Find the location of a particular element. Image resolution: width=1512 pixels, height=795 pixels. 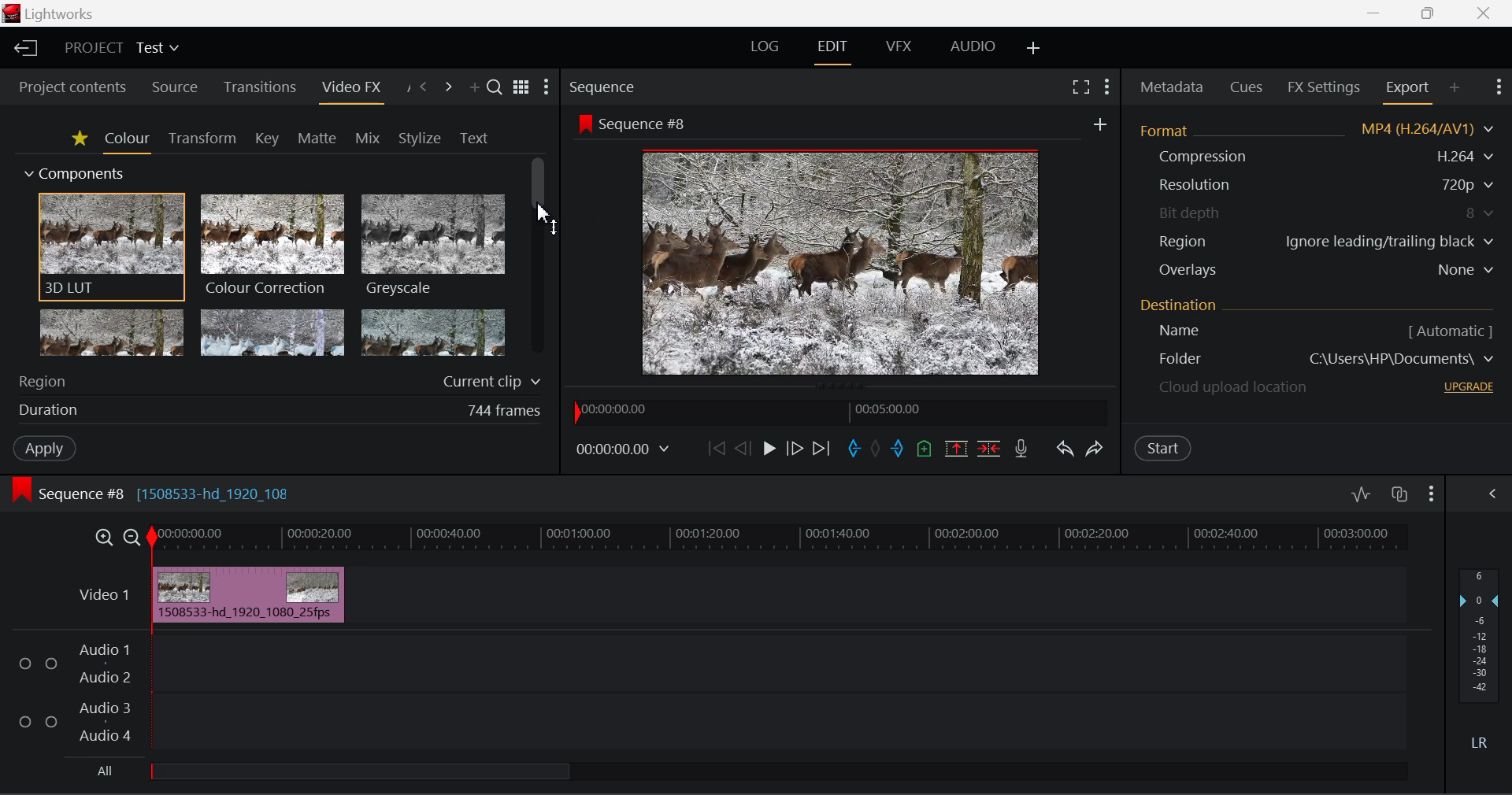

00:05:00.00 is located at coordinates (891, 409).